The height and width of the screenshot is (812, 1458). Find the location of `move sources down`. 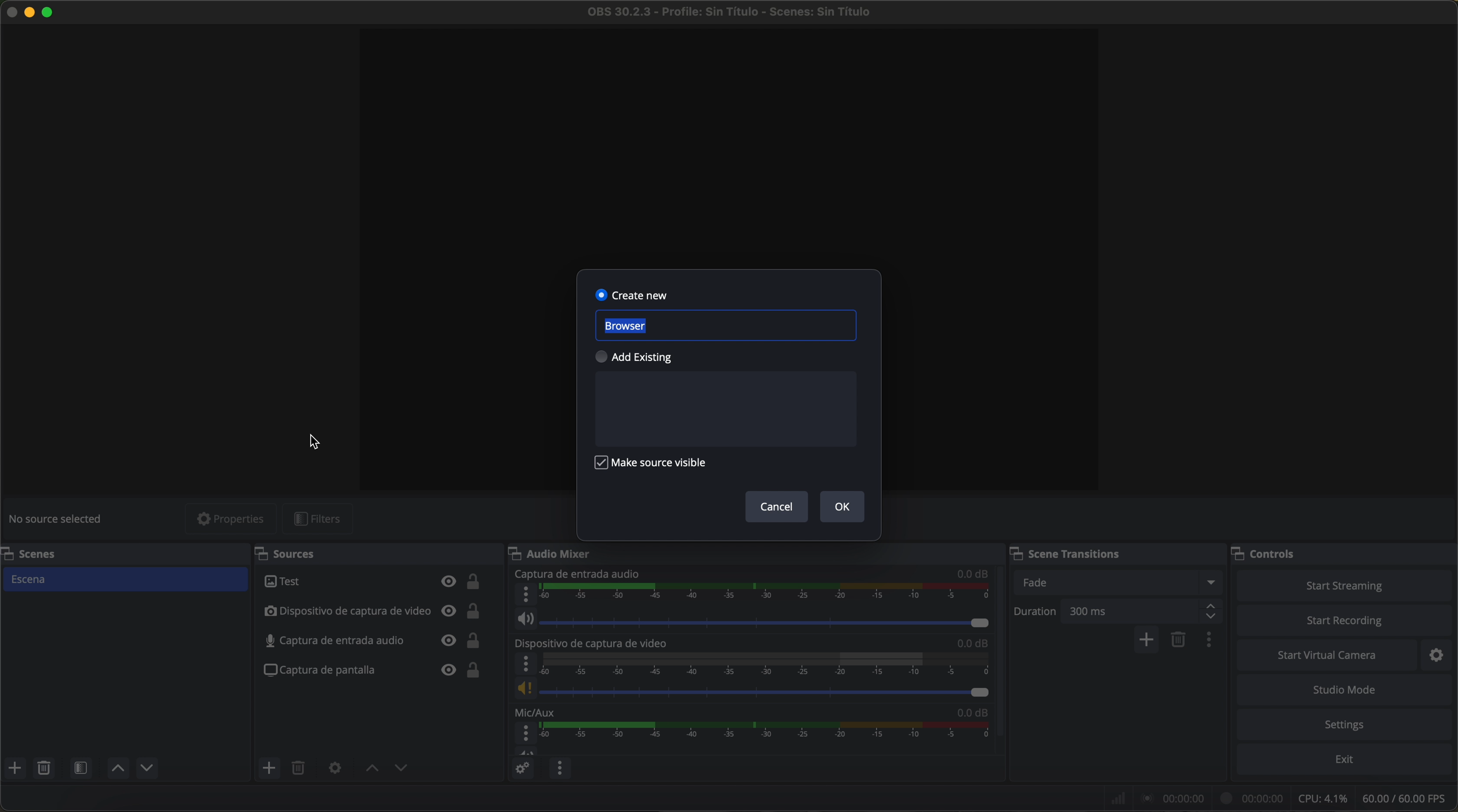

move sources down is located at coordinates (147, 768).